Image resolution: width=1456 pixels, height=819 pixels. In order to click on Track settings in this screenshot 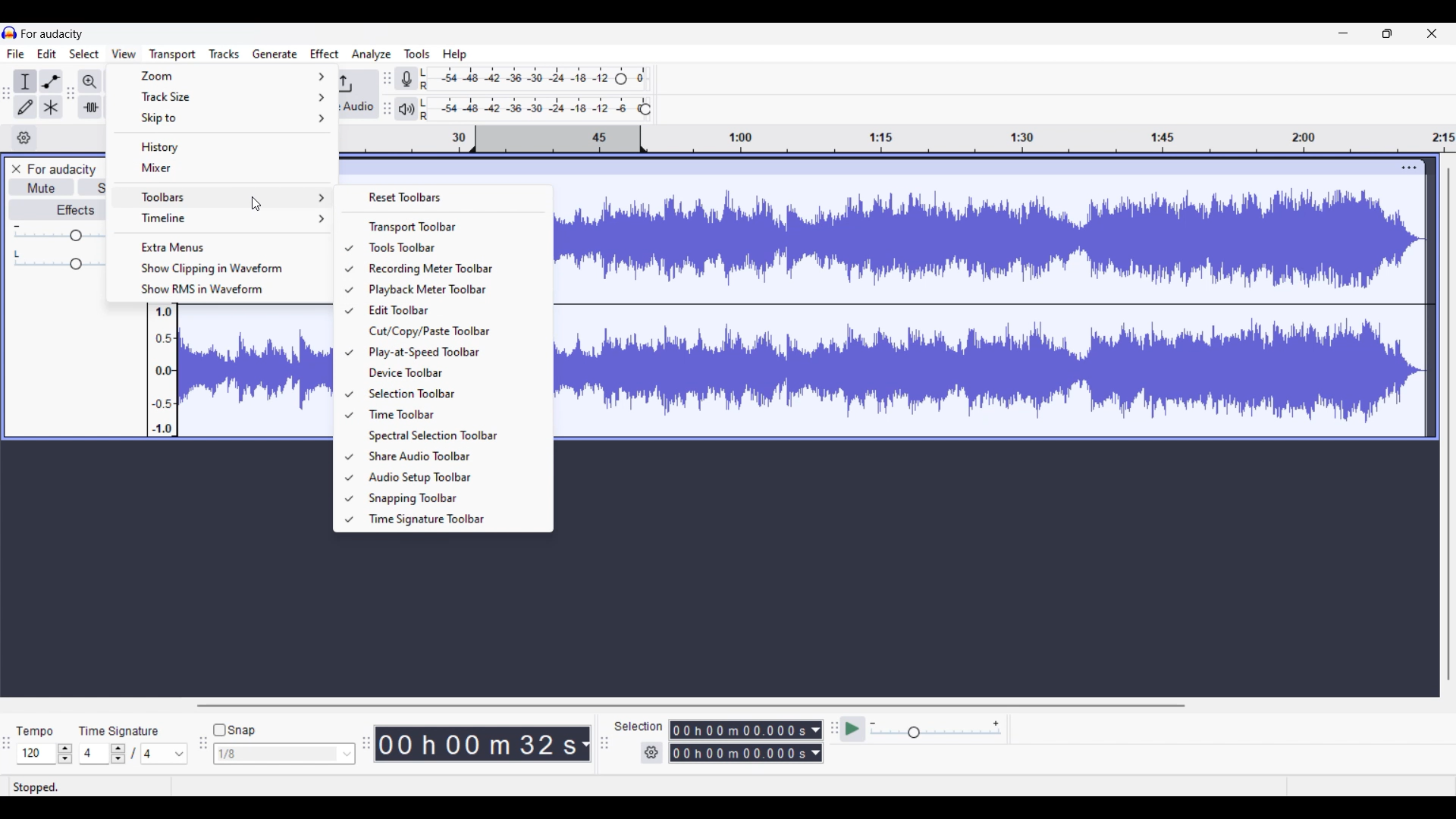, I will do `click(1410, 168)`.